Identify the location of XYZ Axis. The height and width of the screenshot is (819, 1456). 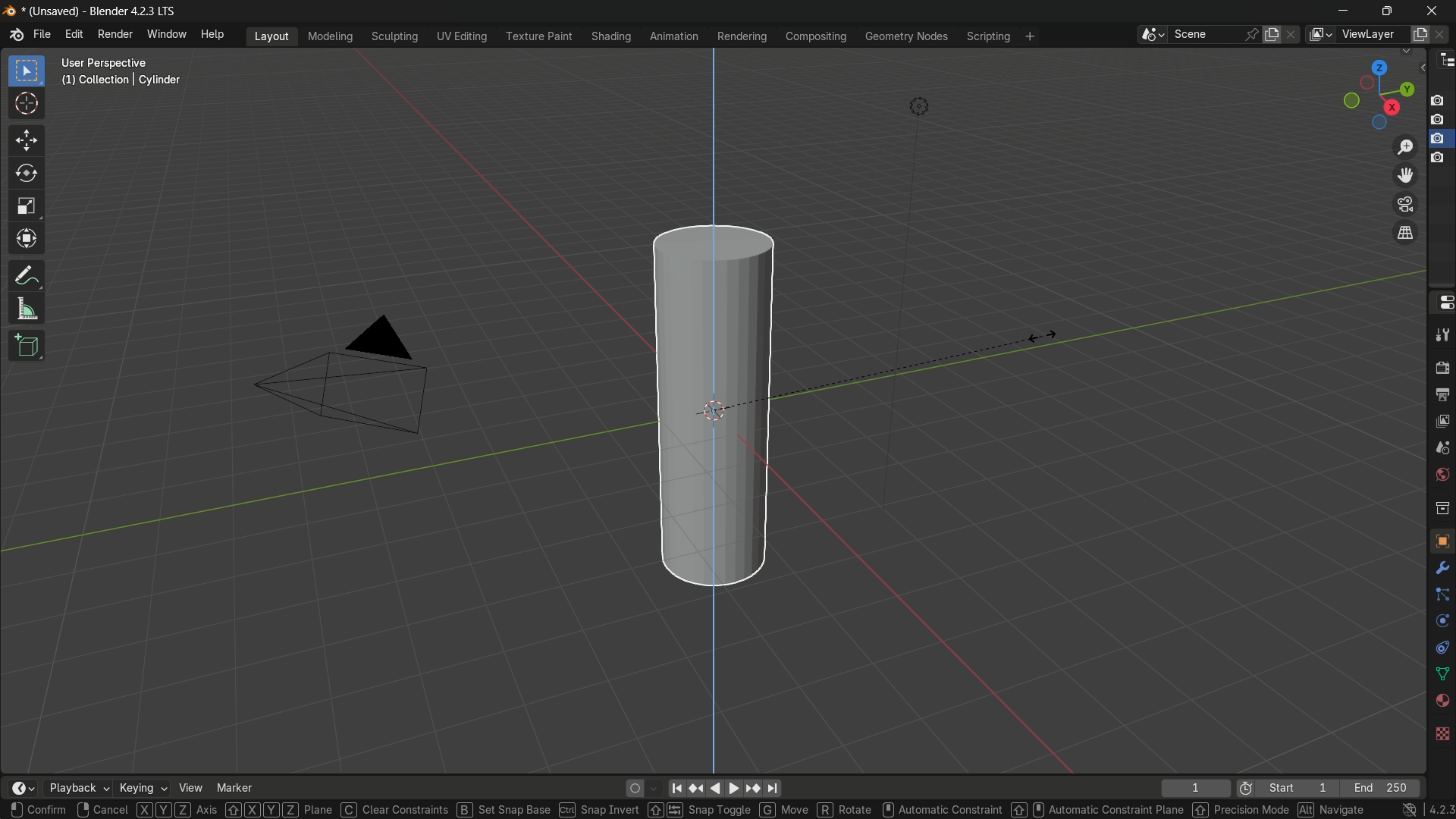
(177, 810).